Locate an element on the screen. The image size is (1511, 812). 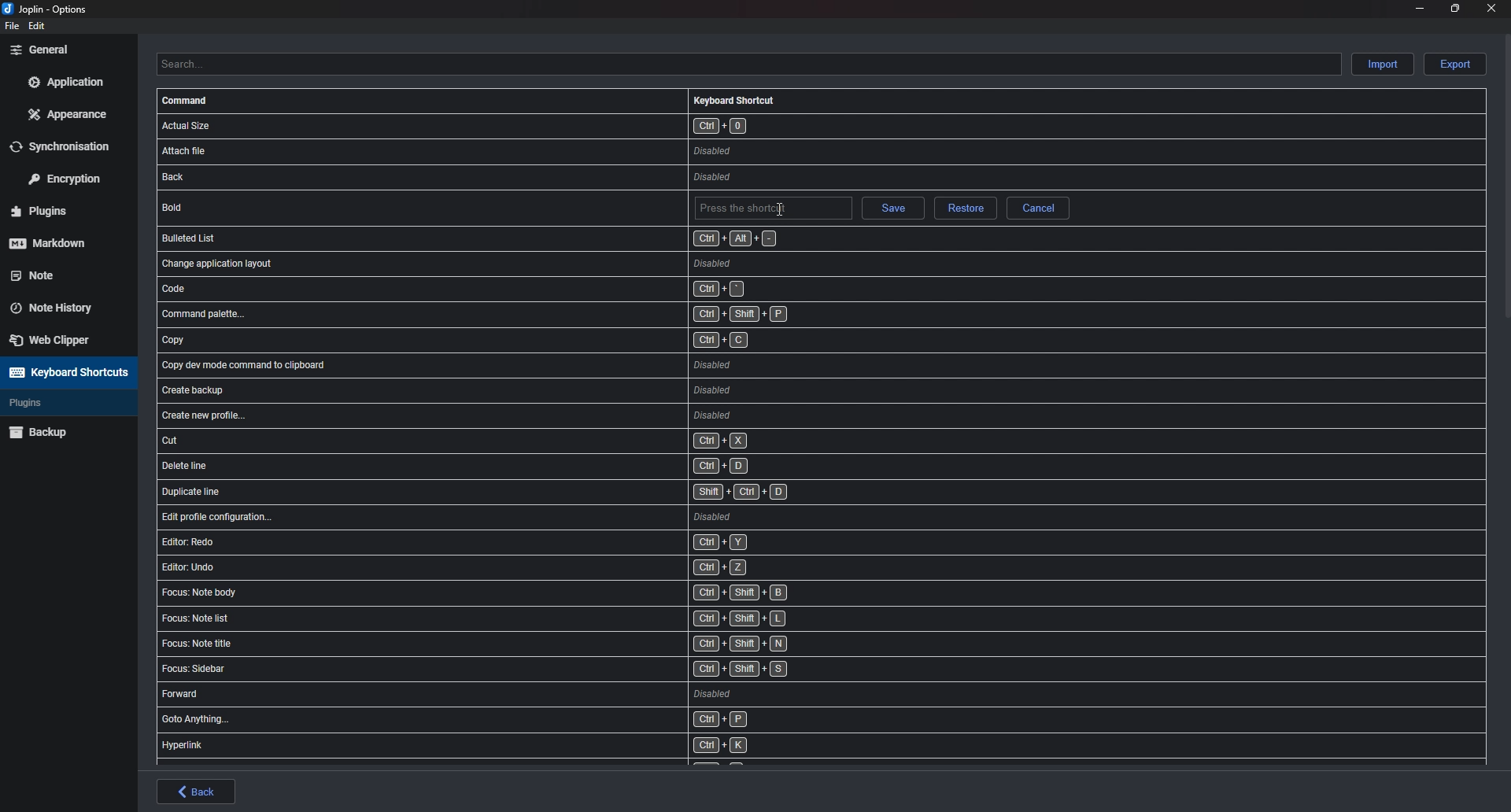
Tooltip is located at coordinates (970, 230).